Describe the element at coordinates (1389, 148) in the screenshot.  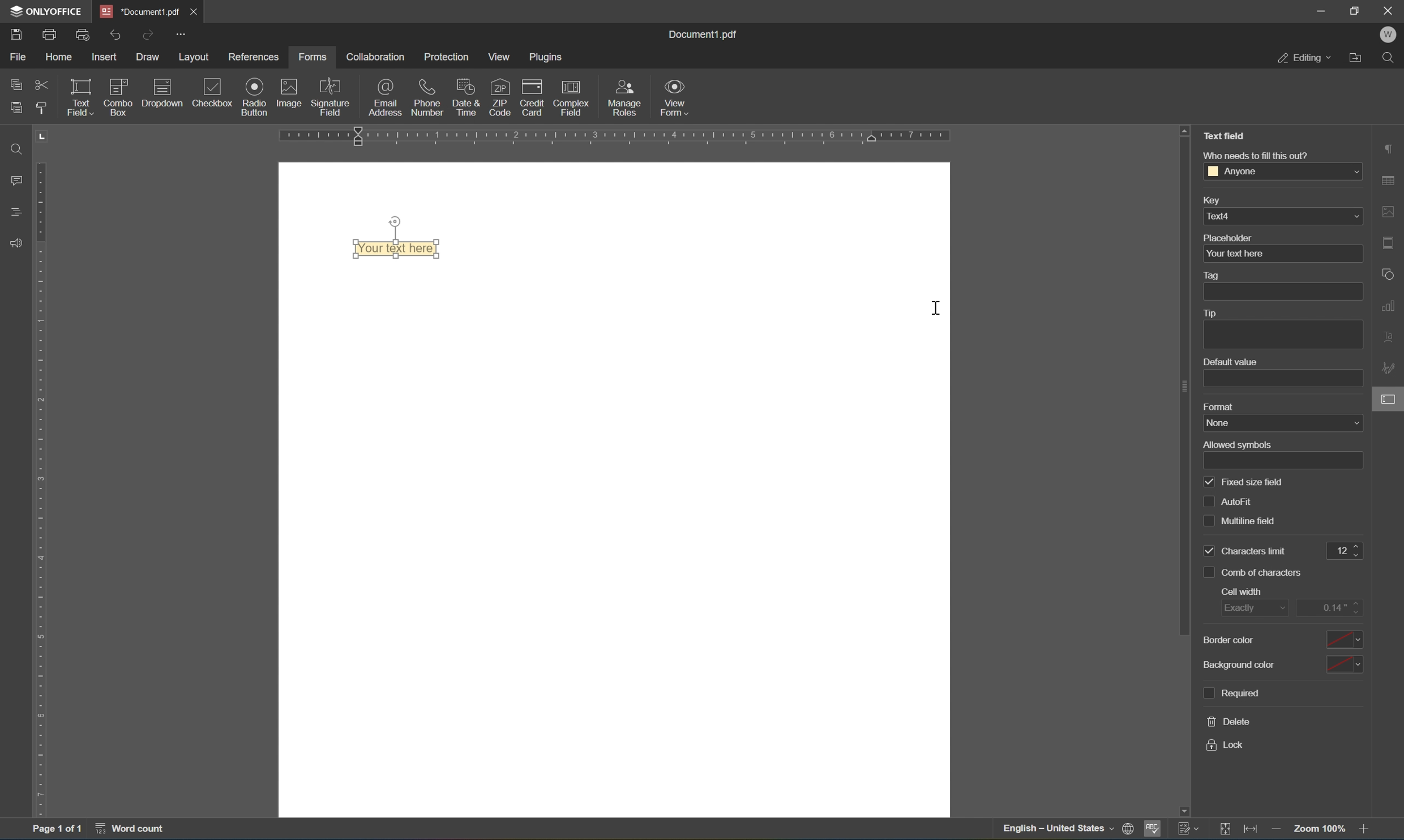
I see `paragraph settings` at that location.